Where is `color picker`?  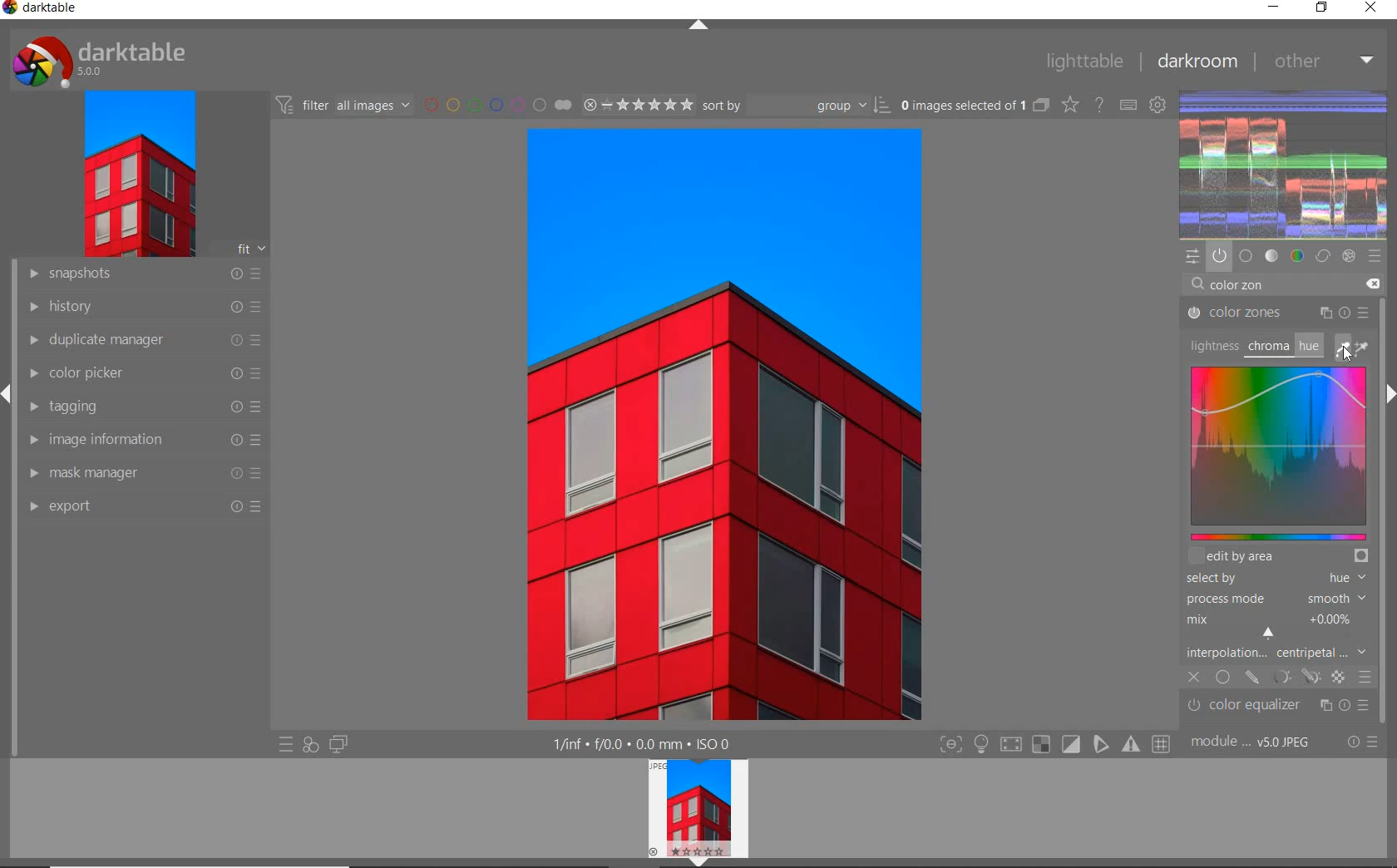 color picker is located at coordinates (142, 376).